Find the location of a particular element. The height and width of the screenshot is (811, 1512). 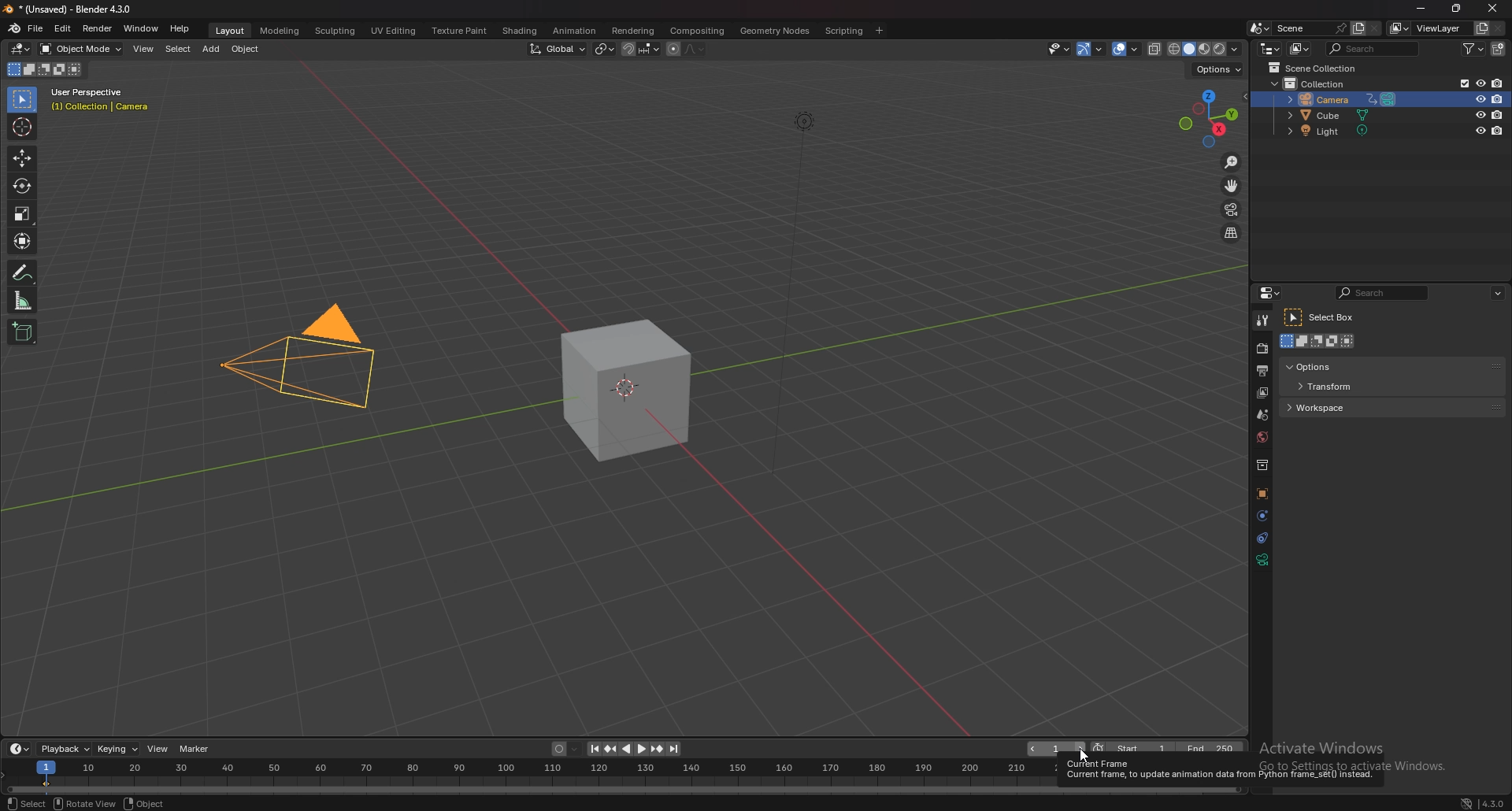

disable in renders is located at coordinates (1496, 132).